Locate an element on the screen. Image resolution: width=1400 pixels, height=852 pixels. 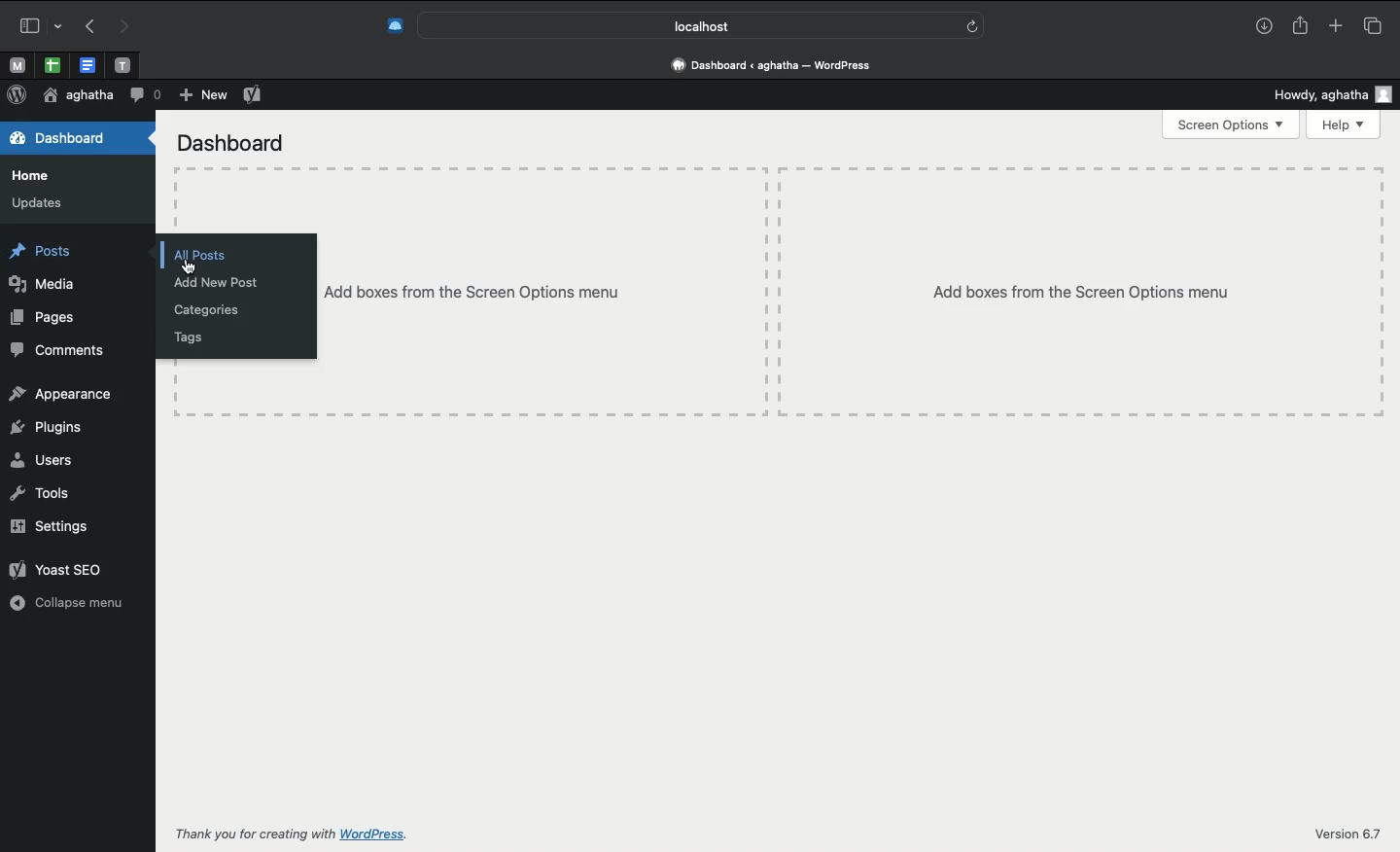
Howdy user is located at coordinates (1334, 95).